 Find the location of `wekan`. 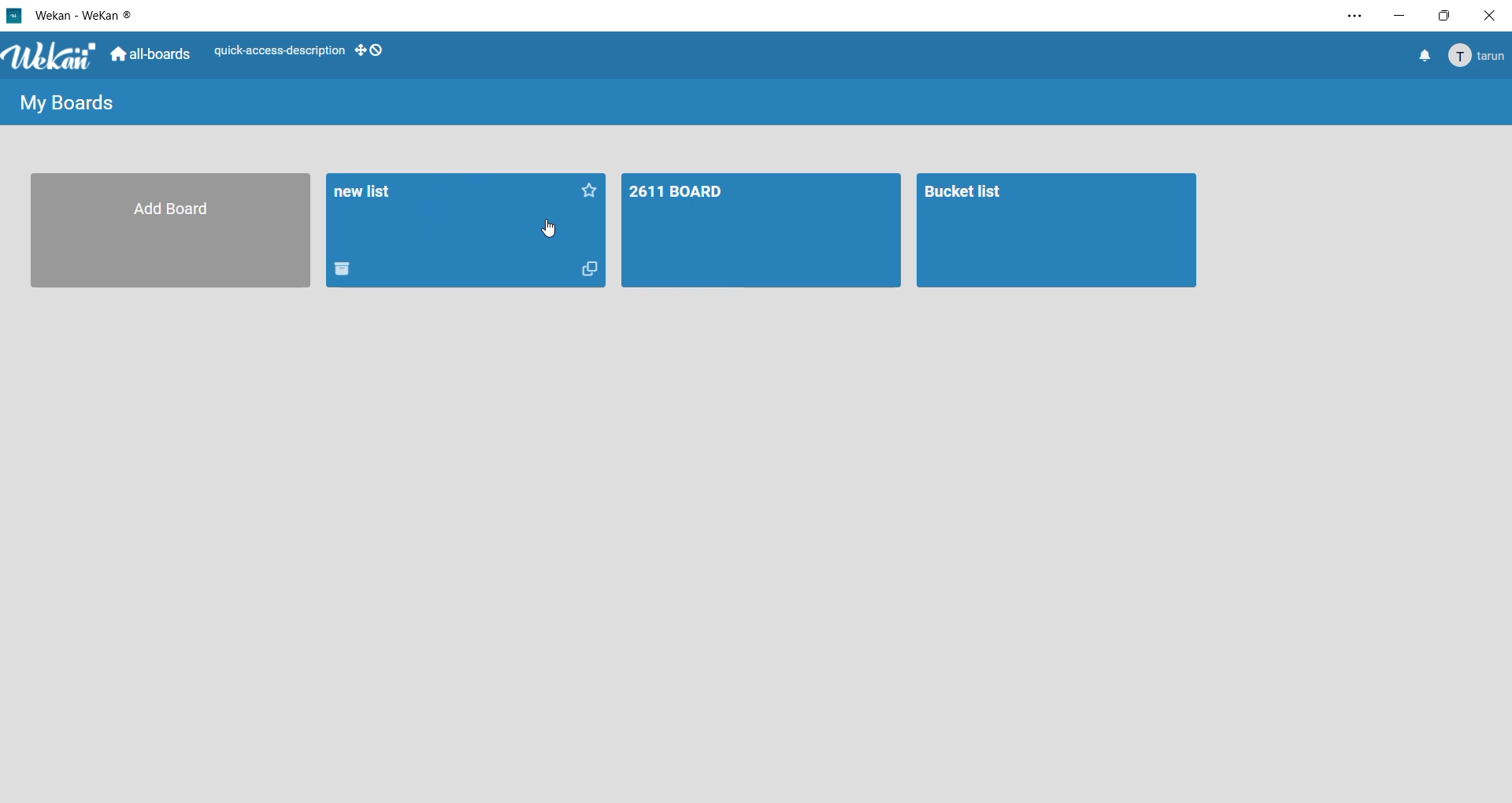

wekan is located at coordinates (54, 57).